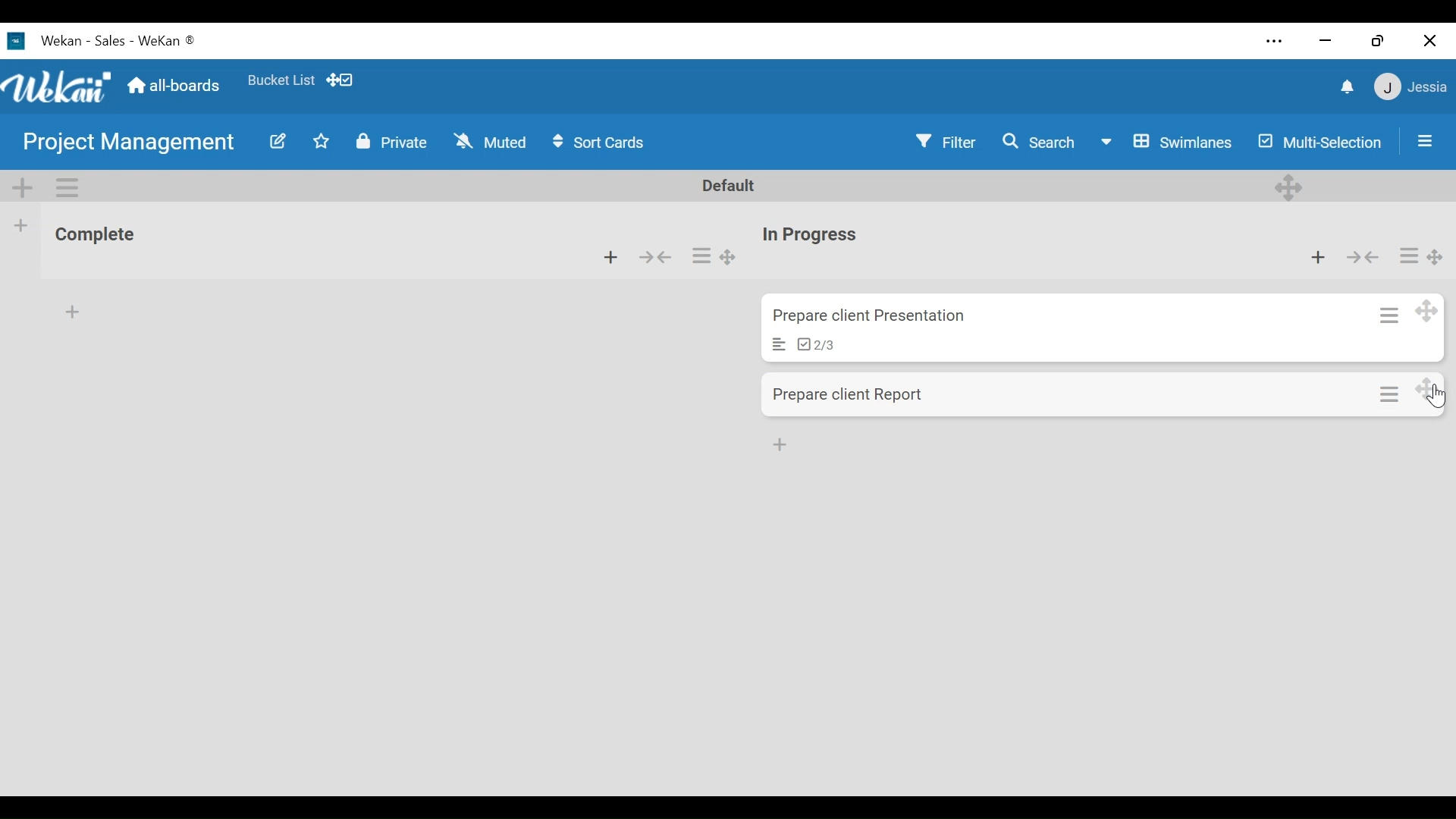  Describe the element at coordinates (1429, 388) in the screenshot. I see `Dekstop` at that location.